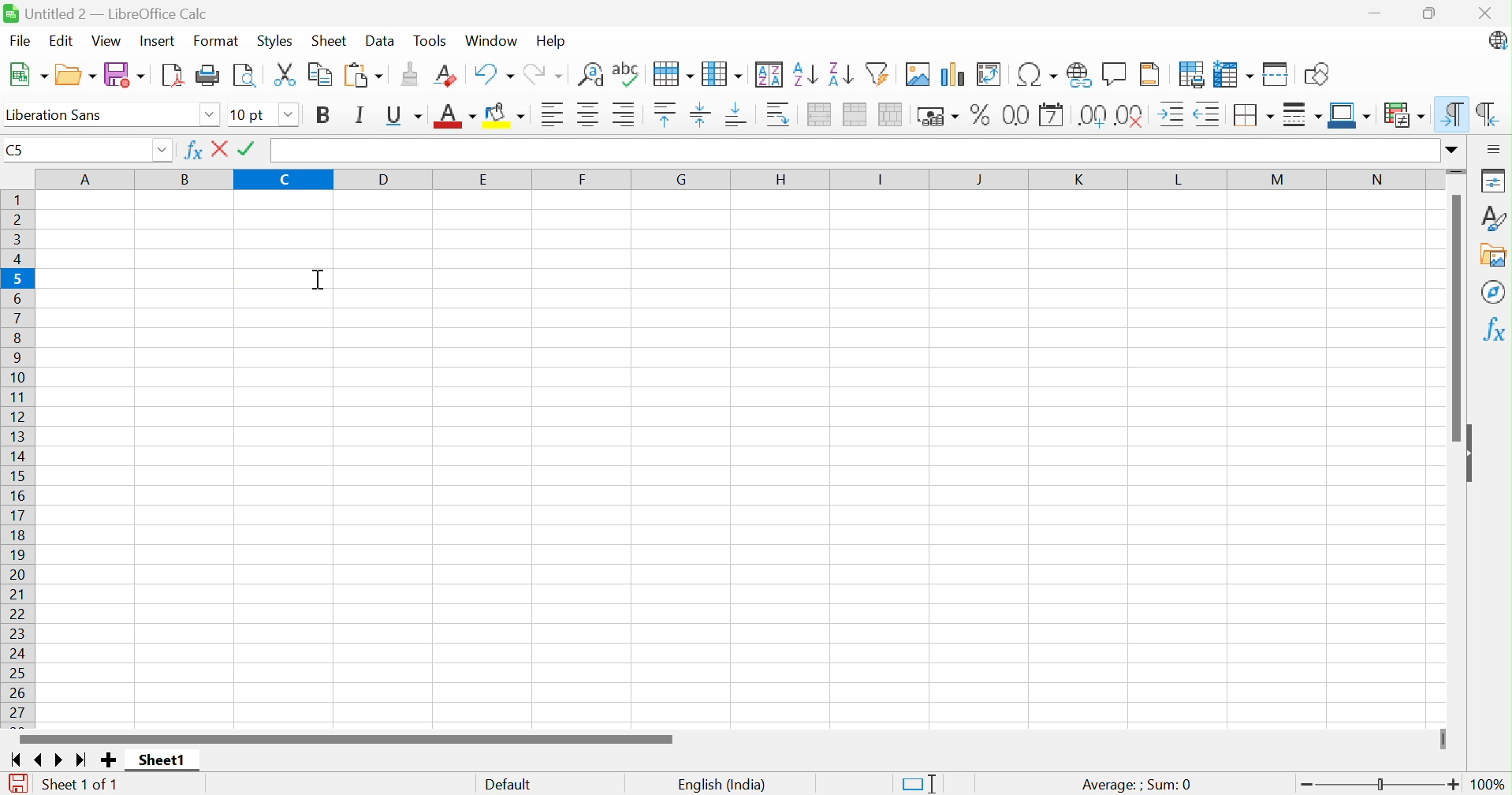 This screenshot has width=1512, height=795. I want to click on Align right, so click(625, 114).